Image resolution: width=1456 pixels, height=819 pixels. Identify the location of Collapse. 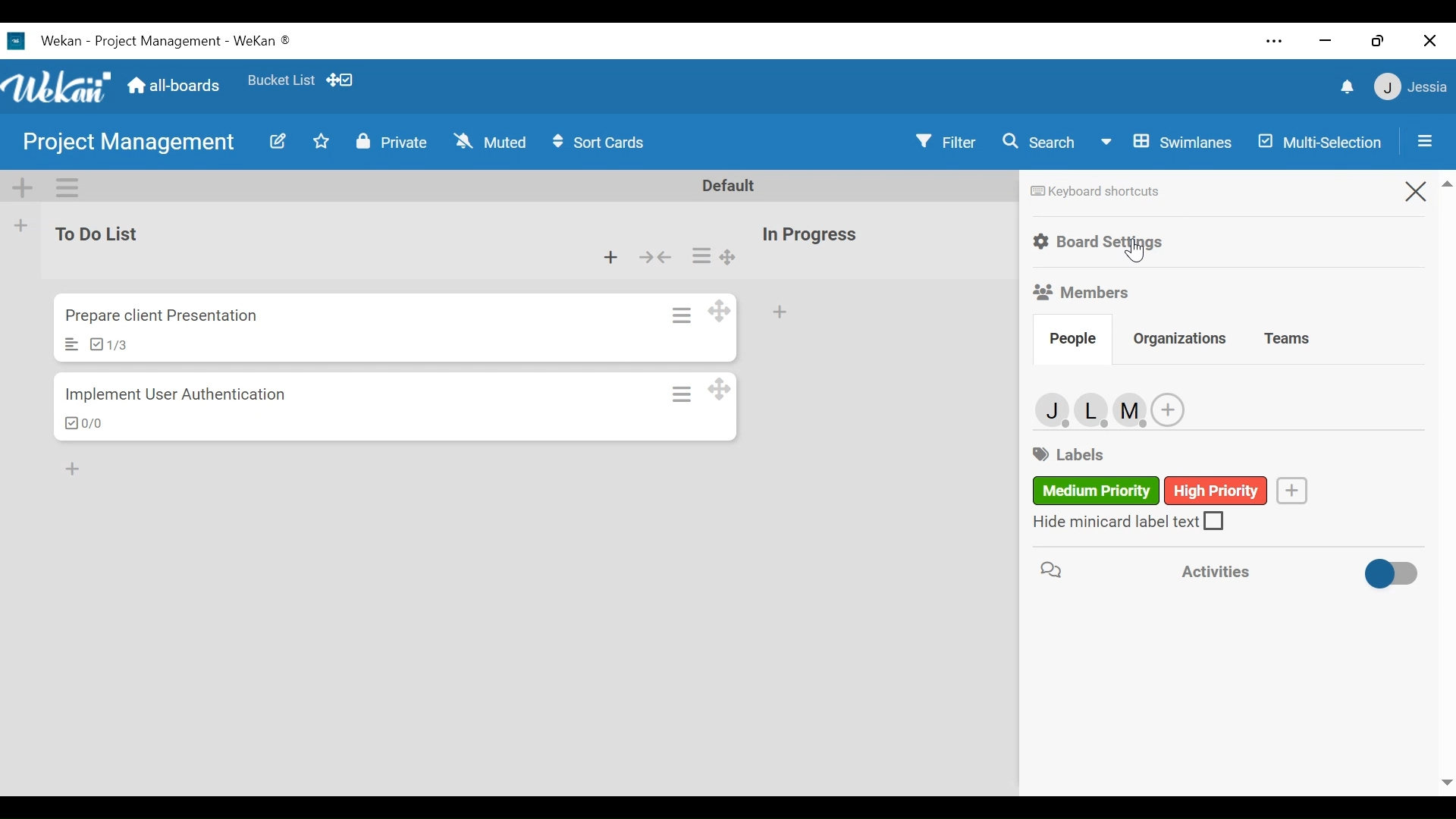
(656, 257).